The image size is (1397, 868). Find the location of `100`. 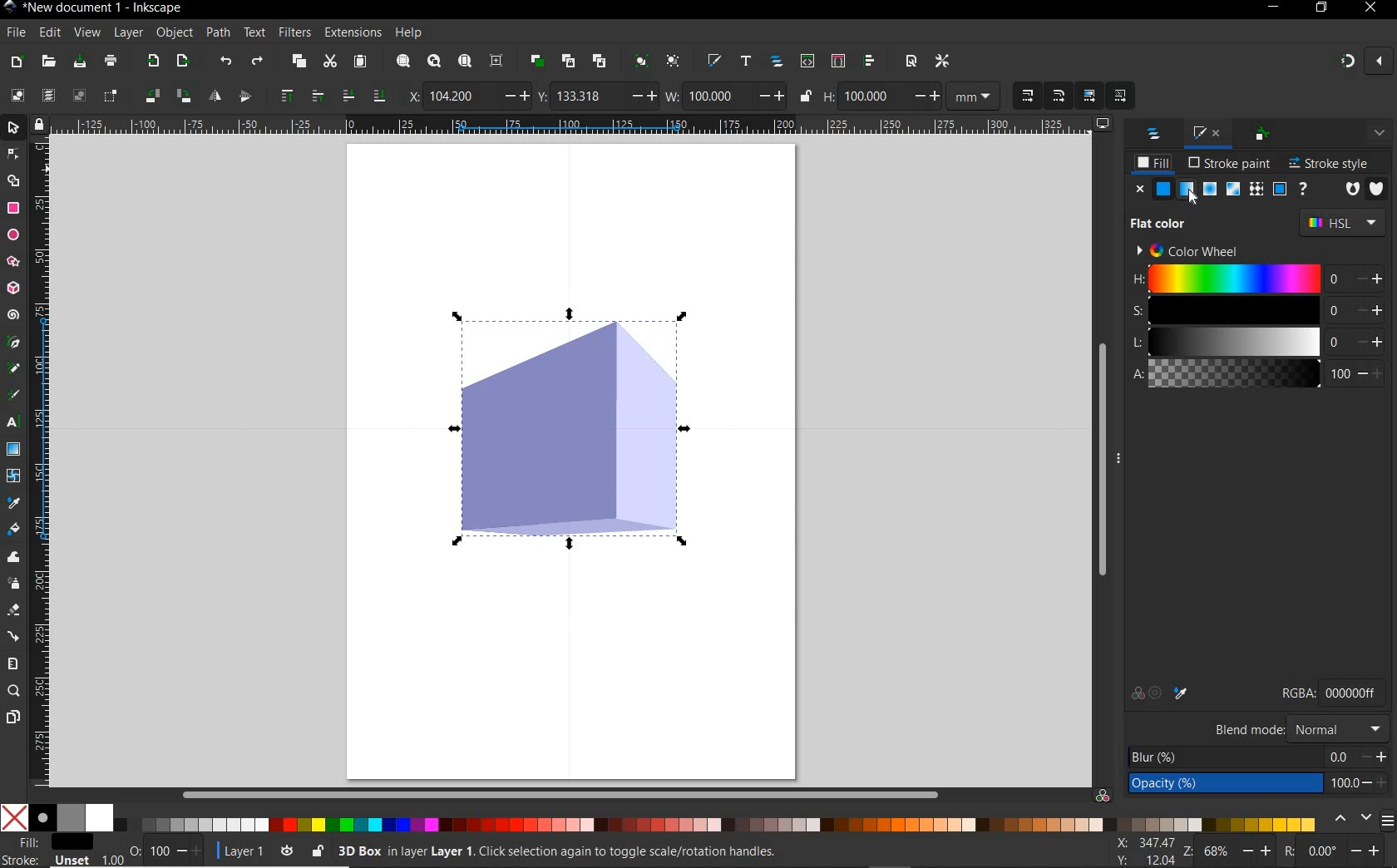

100 is located at coordinates (716, 96).